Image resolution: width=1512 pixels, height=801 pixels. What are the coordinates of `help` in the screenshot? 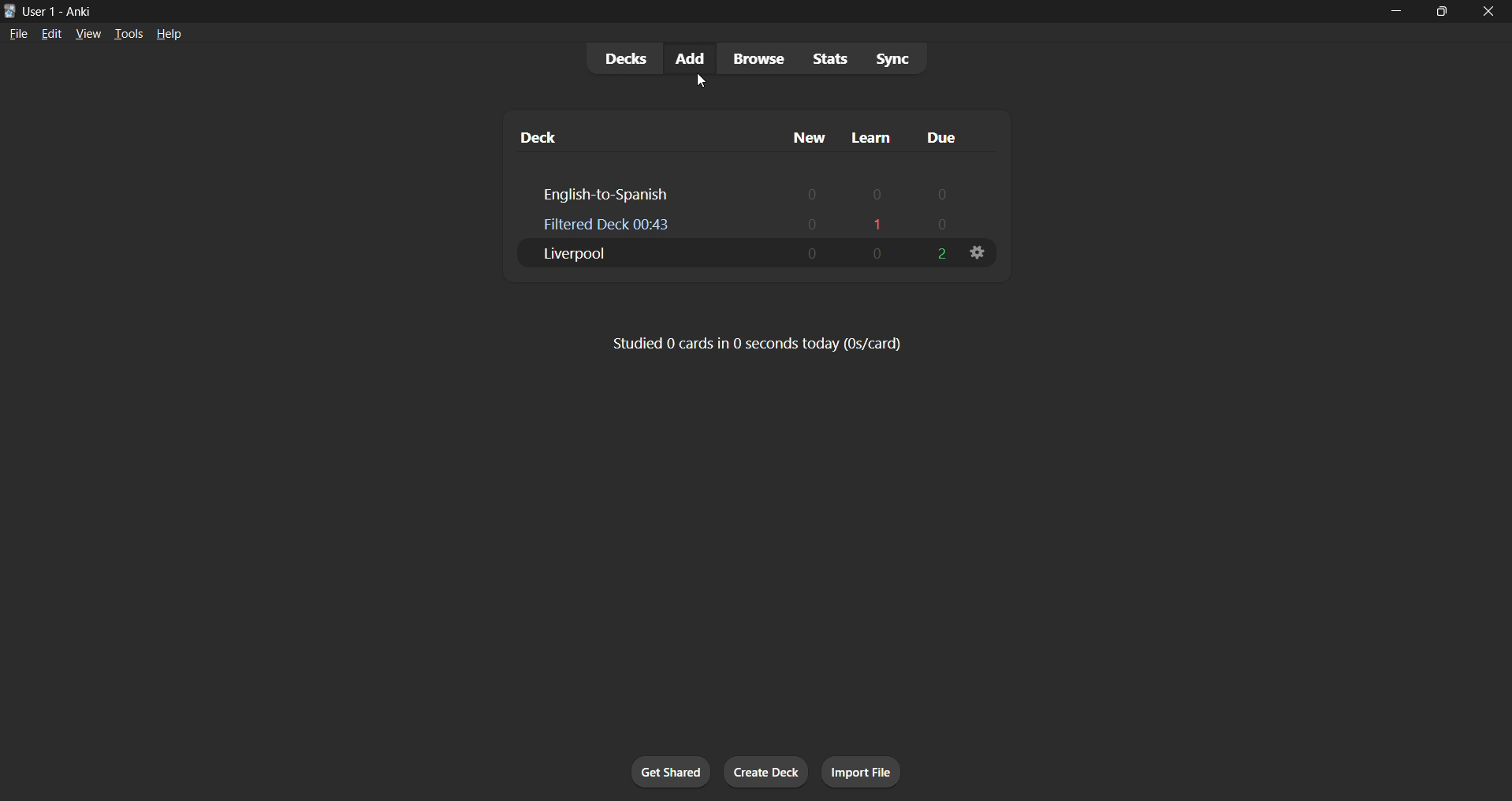 It's located at (167, 33).